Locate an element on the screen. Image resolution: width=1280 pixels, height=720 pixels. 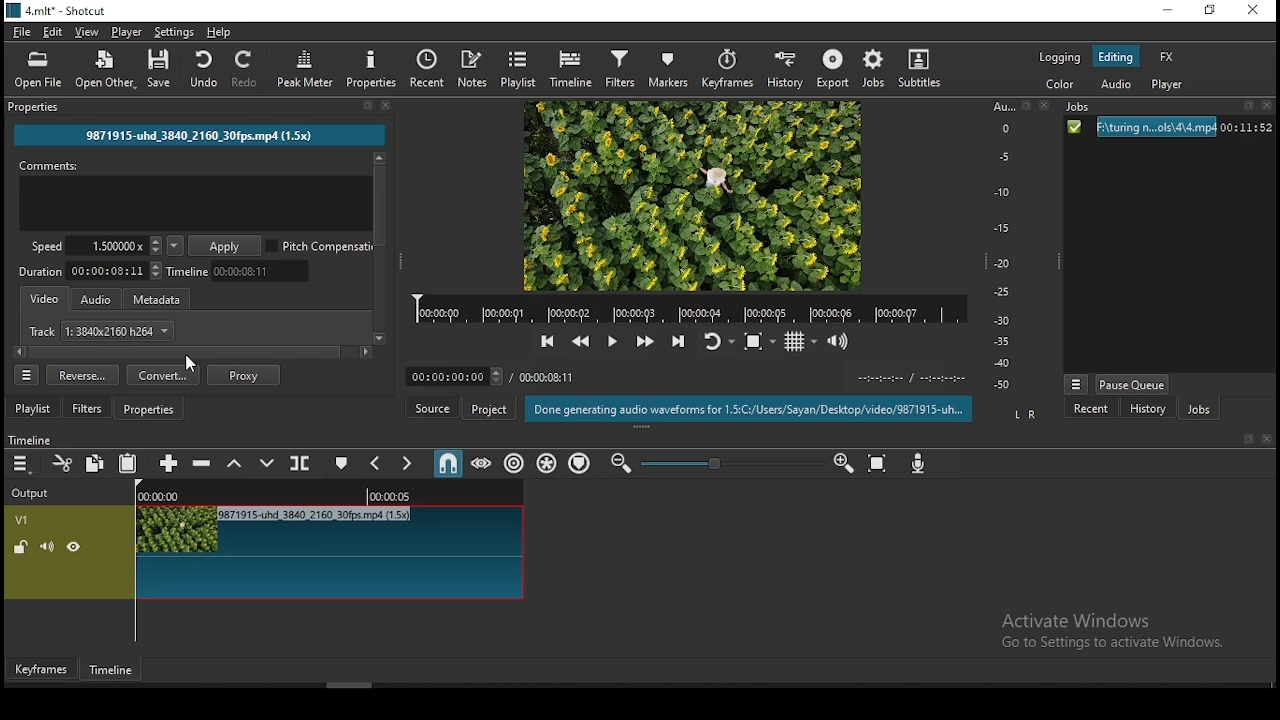
playlist is located at coordinates (517, 69).